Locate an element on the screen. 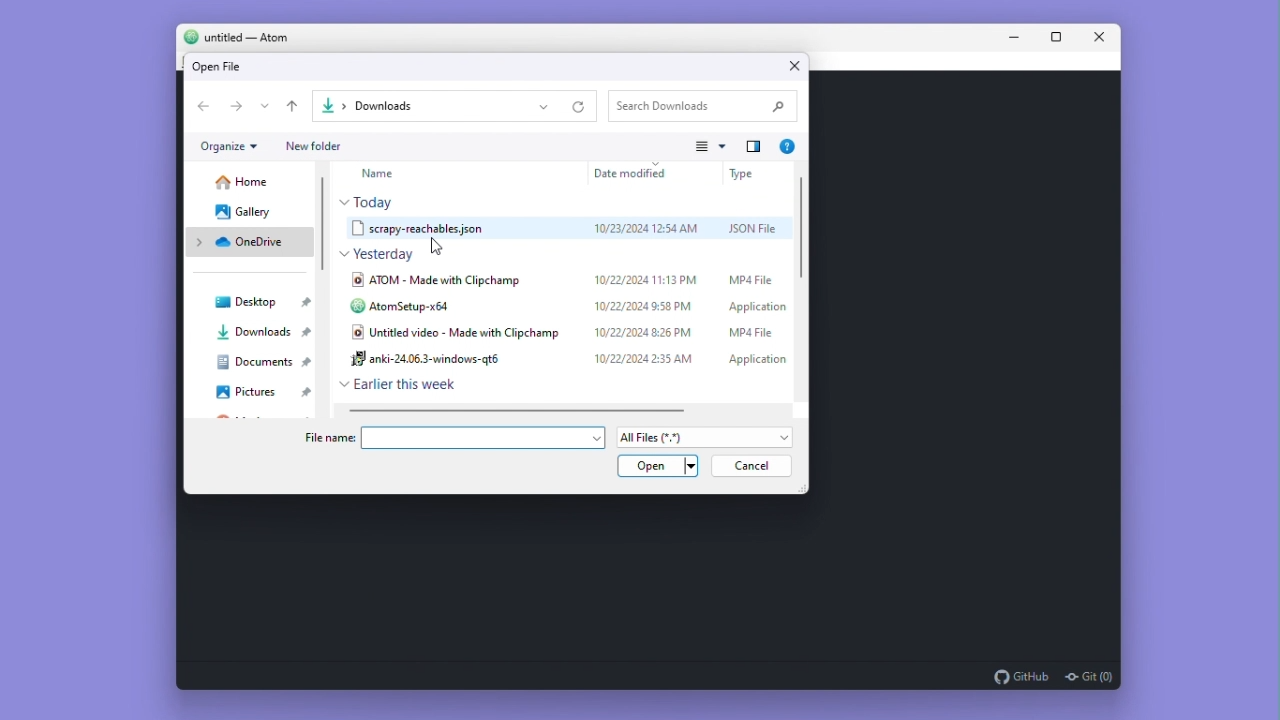  Desktop  is located at coordinates (261, 302).